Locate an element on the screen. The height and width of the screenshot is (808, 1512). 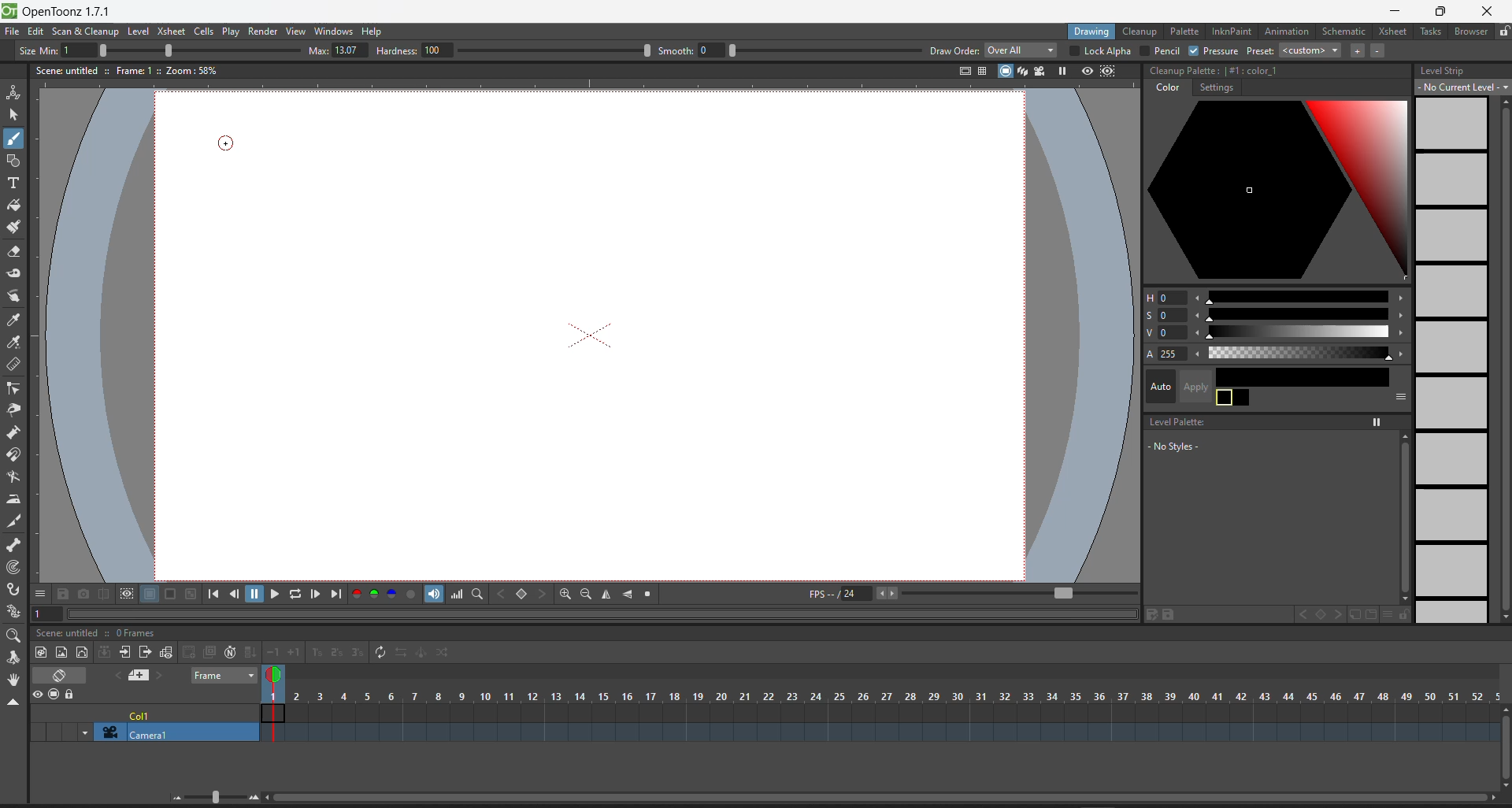
maximize is located at coordinates (1441, 13).